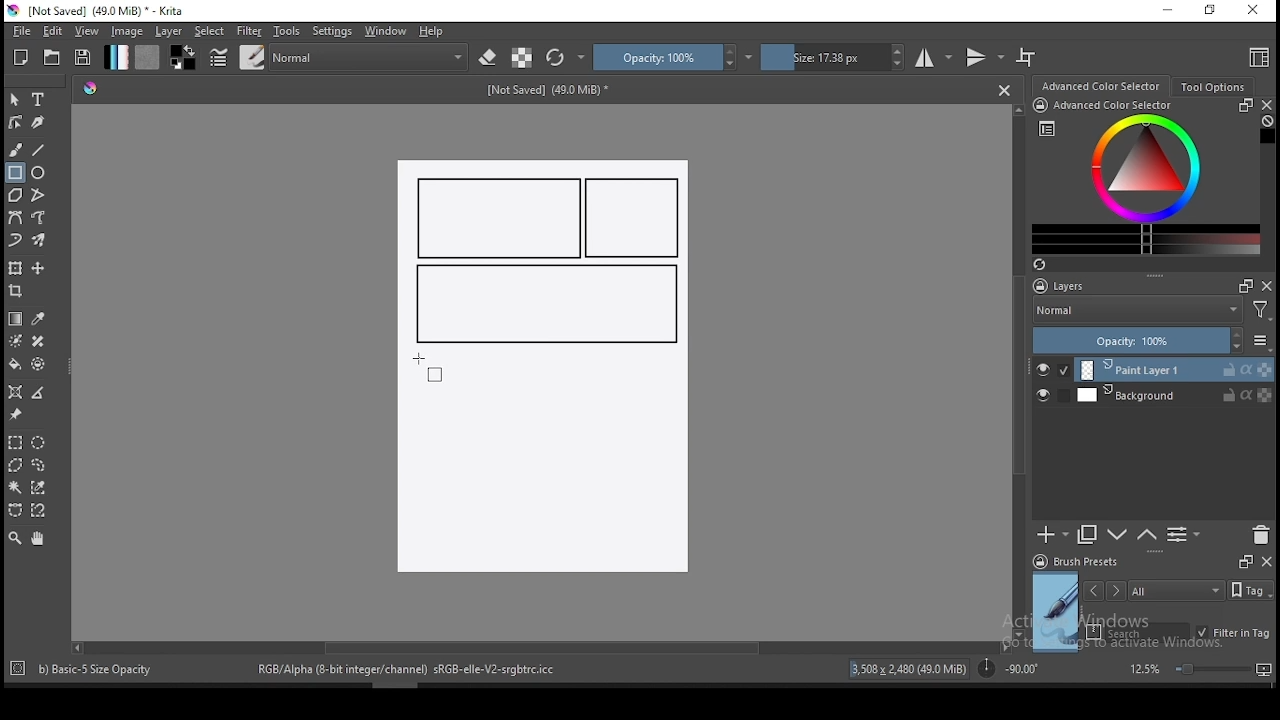 The height and width of the screenshot is (720, 1280). I want to click on contiguous selection tool, so click(16, 489).